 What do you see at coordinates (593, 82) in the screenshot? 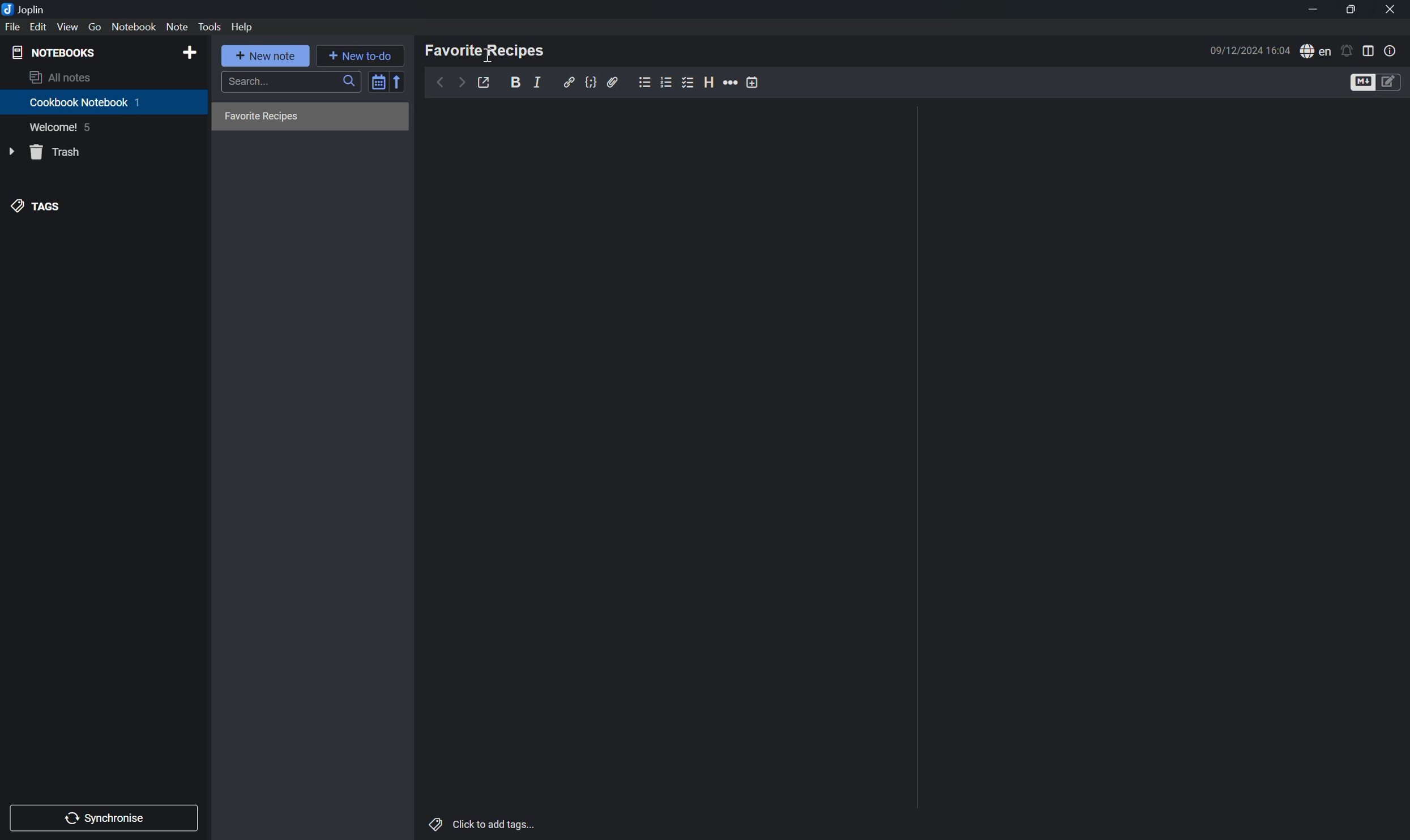
I see `Code block` at bounding box center [593, 82].